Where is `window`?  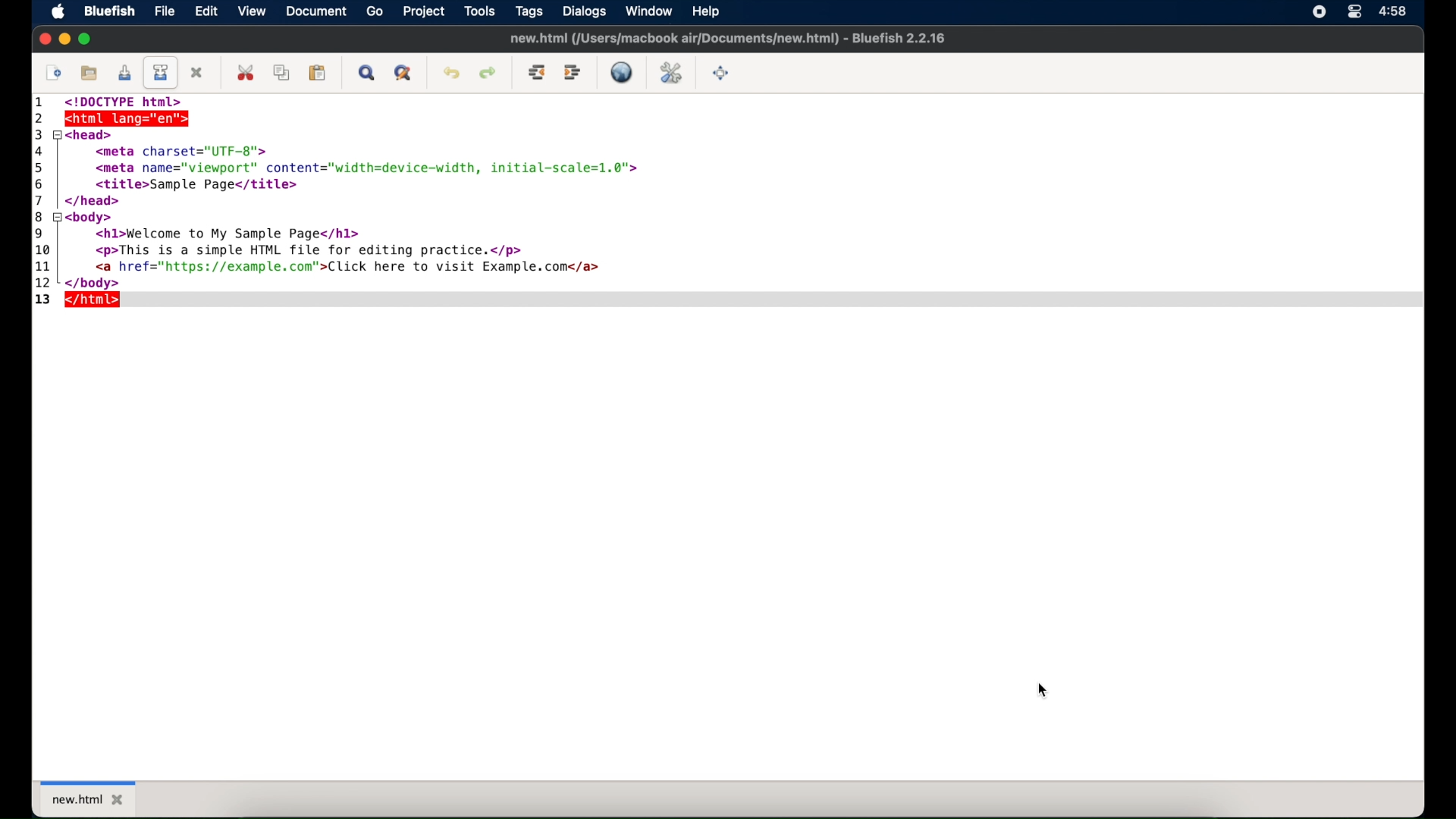 window is located at coordinates (649, 11).